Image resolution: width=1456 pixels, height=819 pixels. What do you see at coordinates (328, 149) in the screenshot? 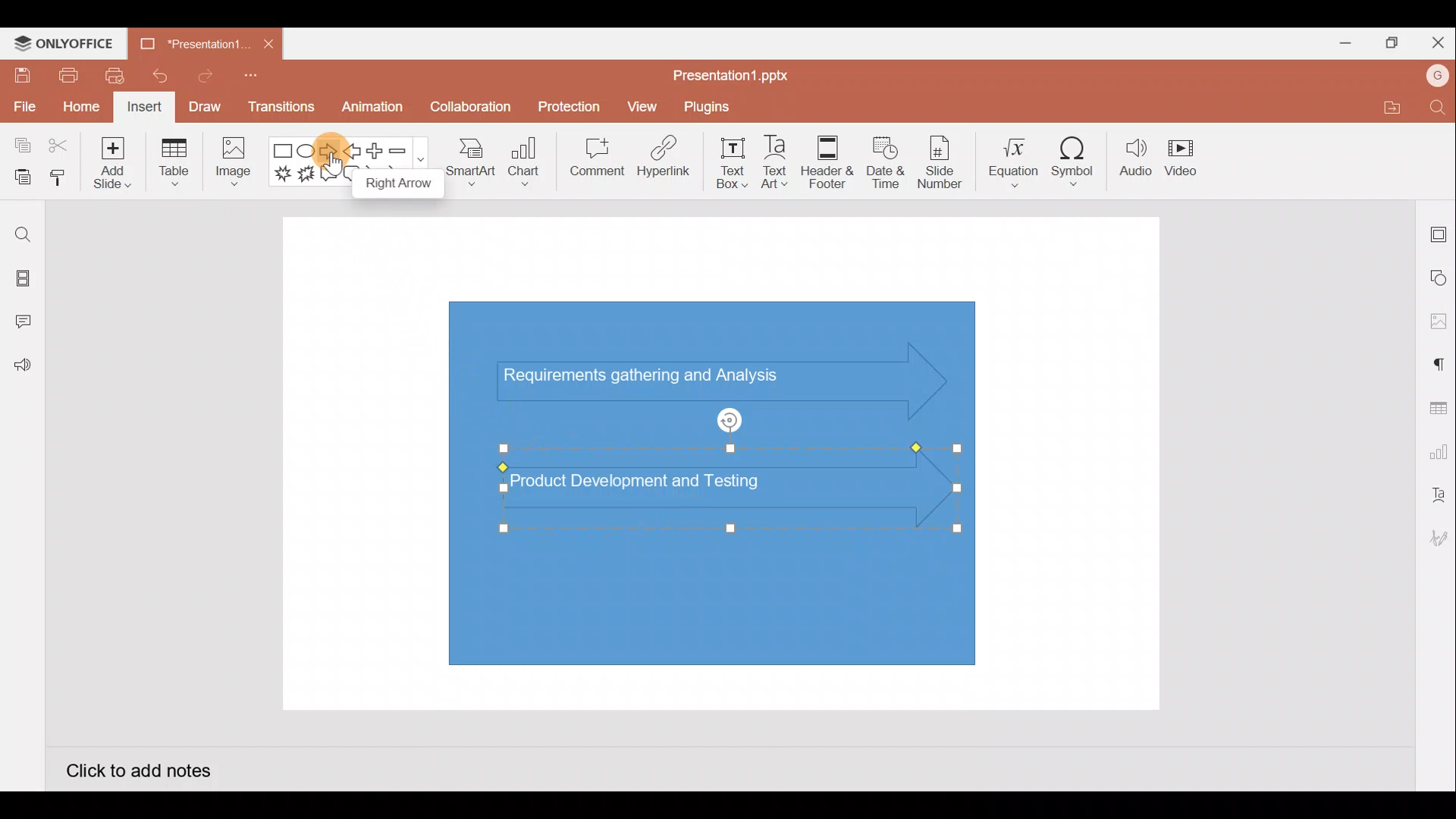
I see `Right arrow` at bounding box center [328, 149].